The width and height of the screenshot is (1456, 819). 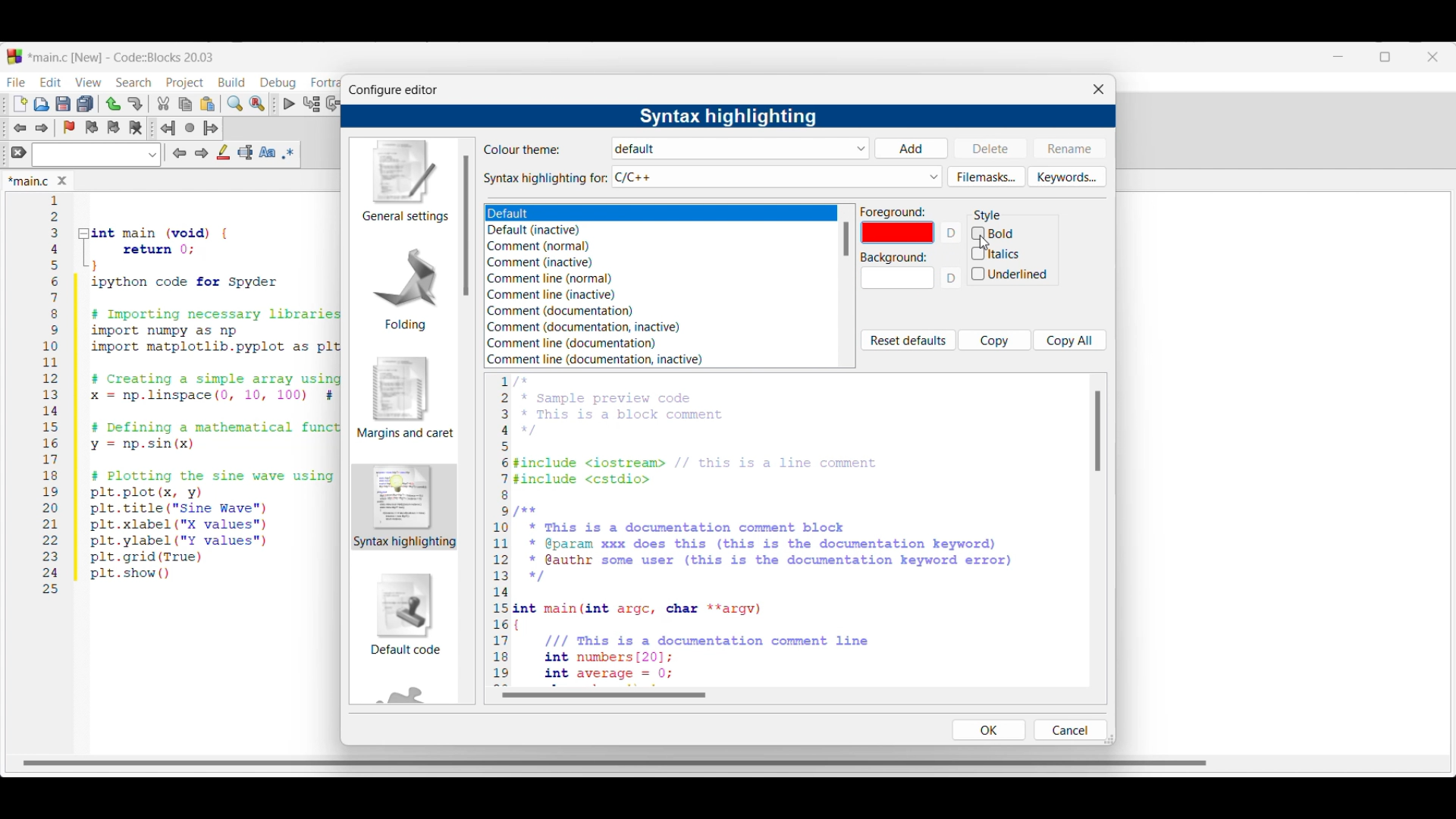 What do you see at coordinates (893, 212) in the screenshot?
I see `Indicates foreground color options` at bounding box center [893, 212].